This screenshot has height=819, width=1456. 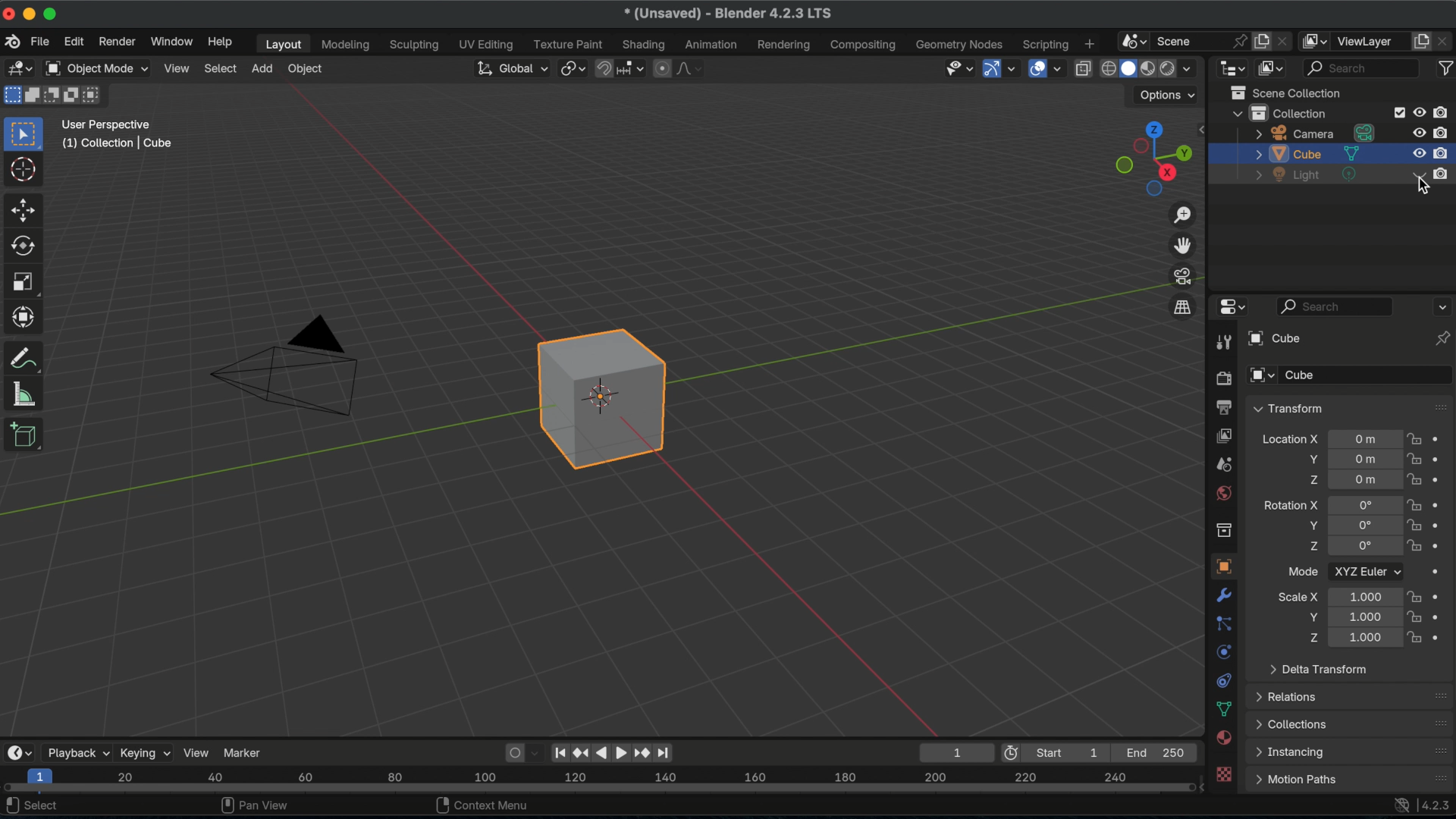 I want to click on view layer, so click(x=1372, y=41).